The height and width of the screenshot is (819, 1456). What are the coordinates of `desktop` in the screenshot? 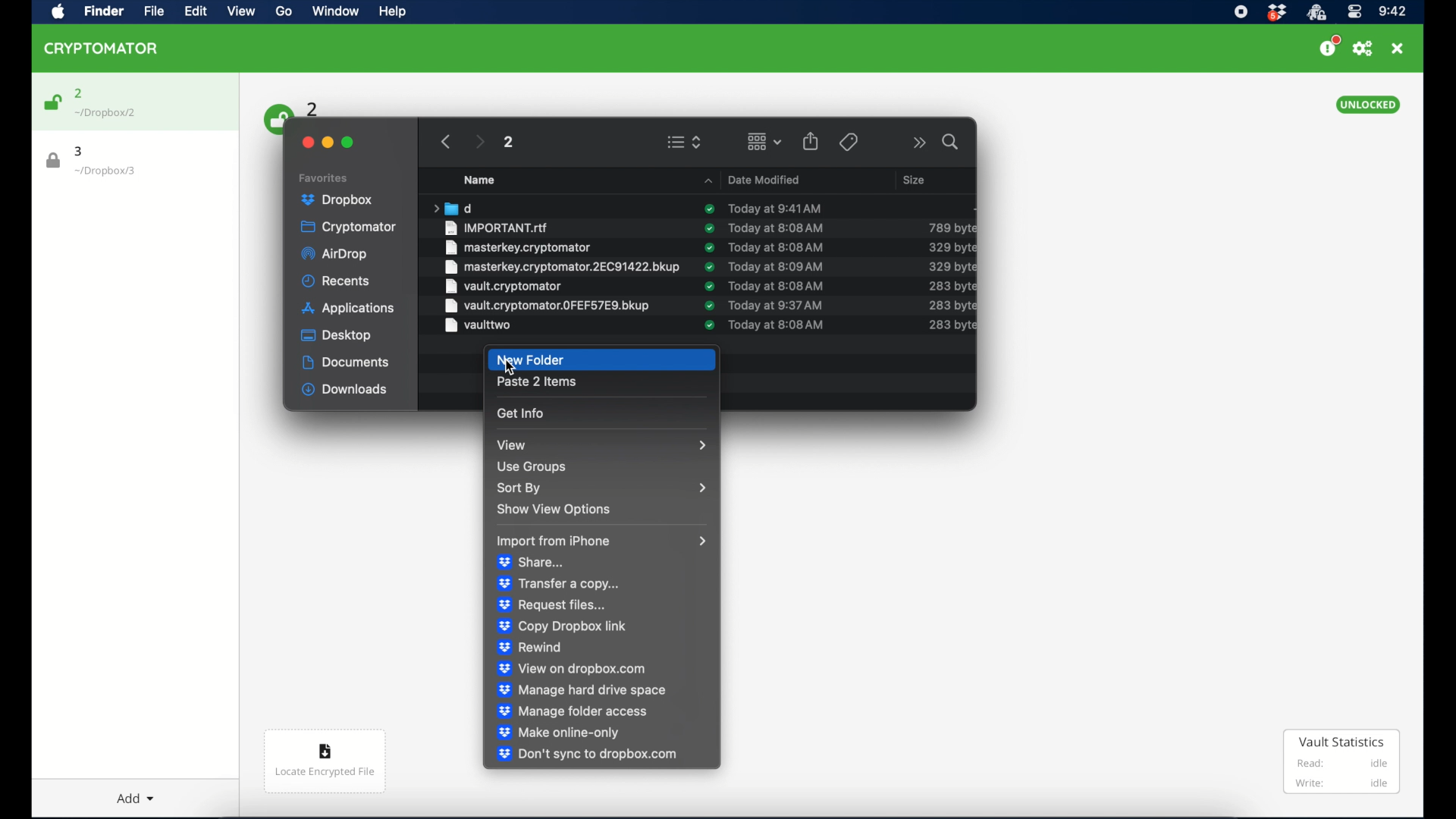 It's located at (337, 335).